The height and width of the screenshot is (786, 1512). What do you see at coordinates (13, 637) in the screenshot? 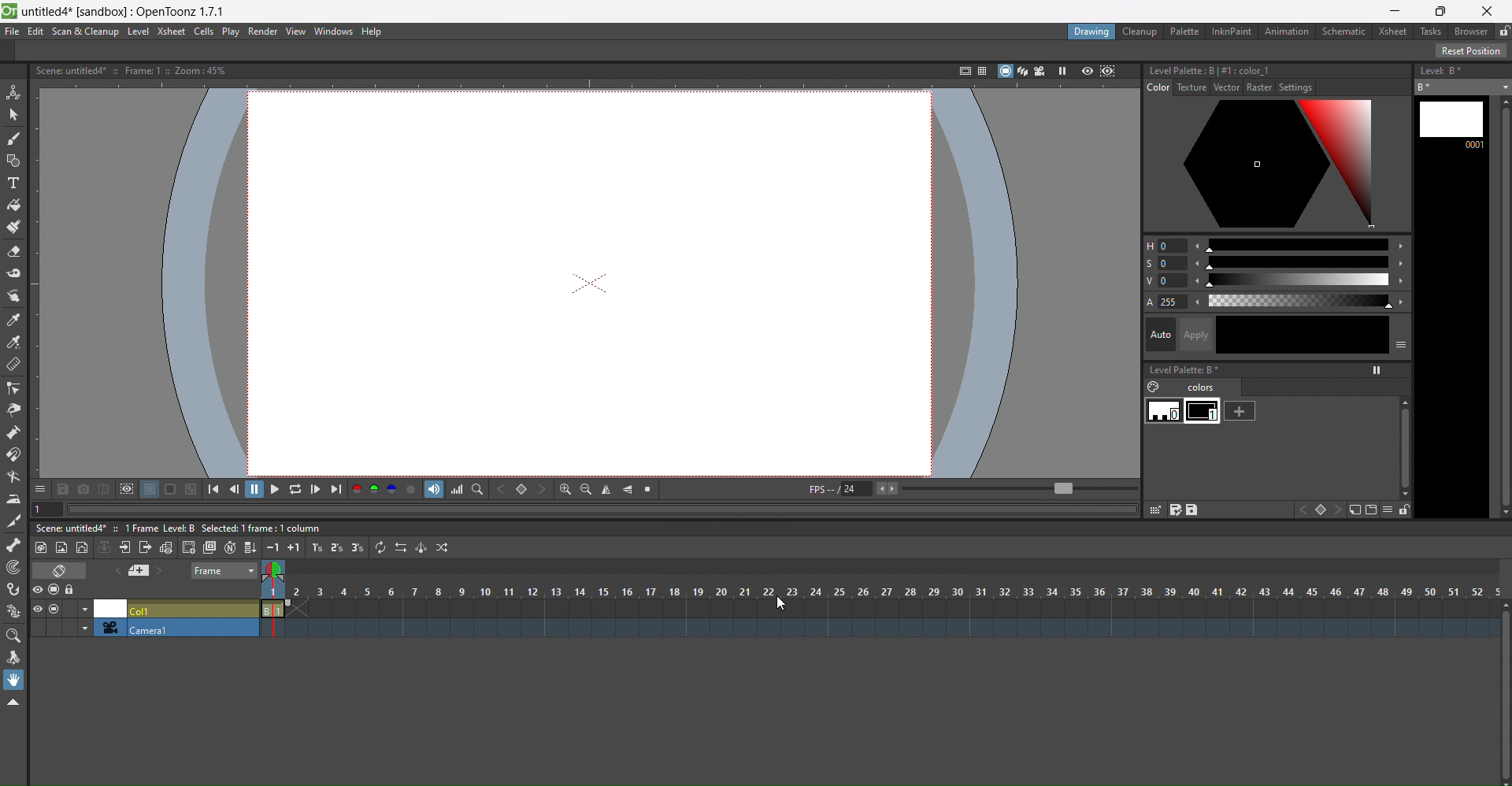
I see `magnifier tool` at bounding box center [13, 637].